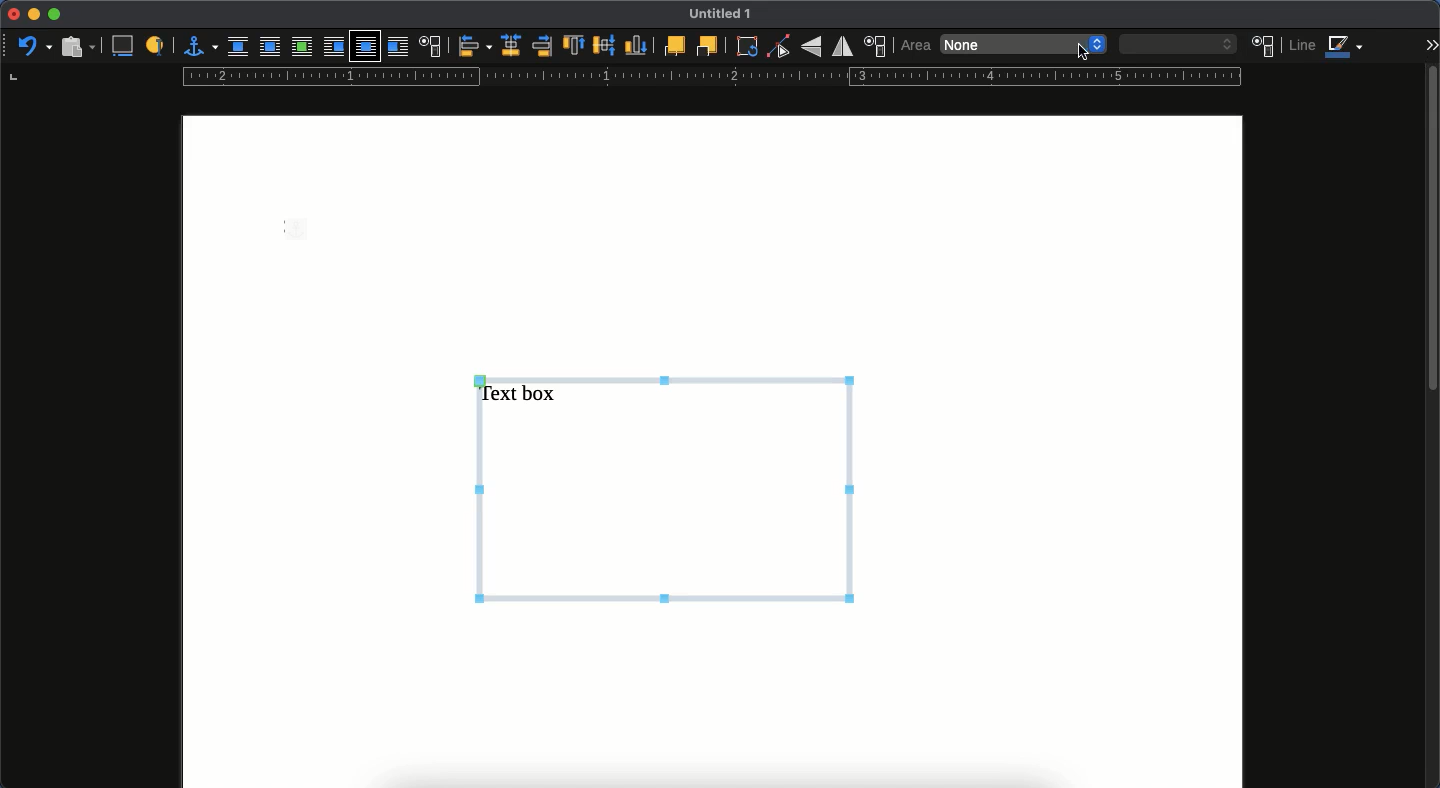 The image size is (1440, 788). Describe the element at coordinates (709, 77) in the screenshot. I see `guide` at that location.